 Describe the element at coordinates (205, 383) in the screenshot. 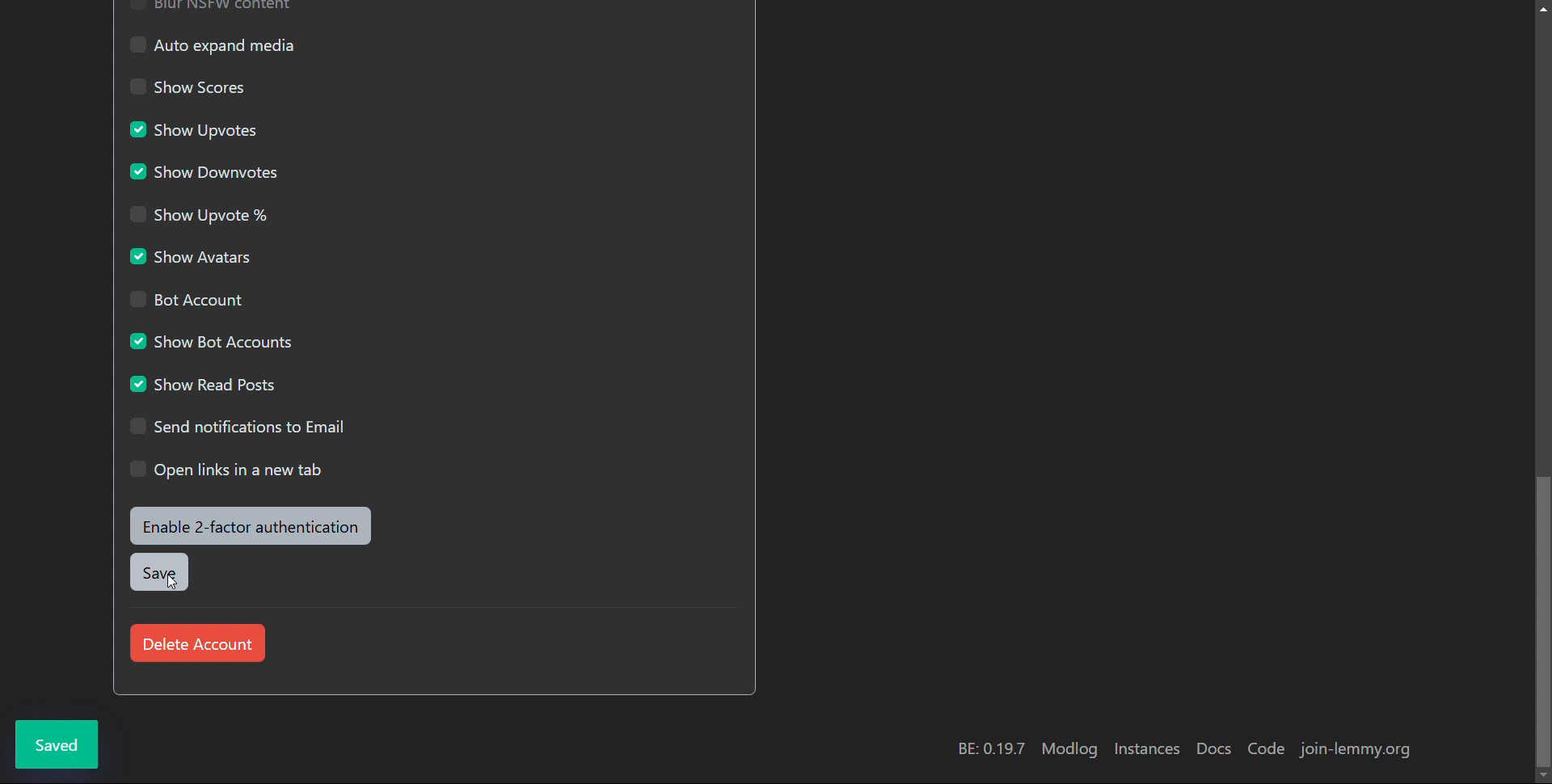

I see `show read posts` at that location.